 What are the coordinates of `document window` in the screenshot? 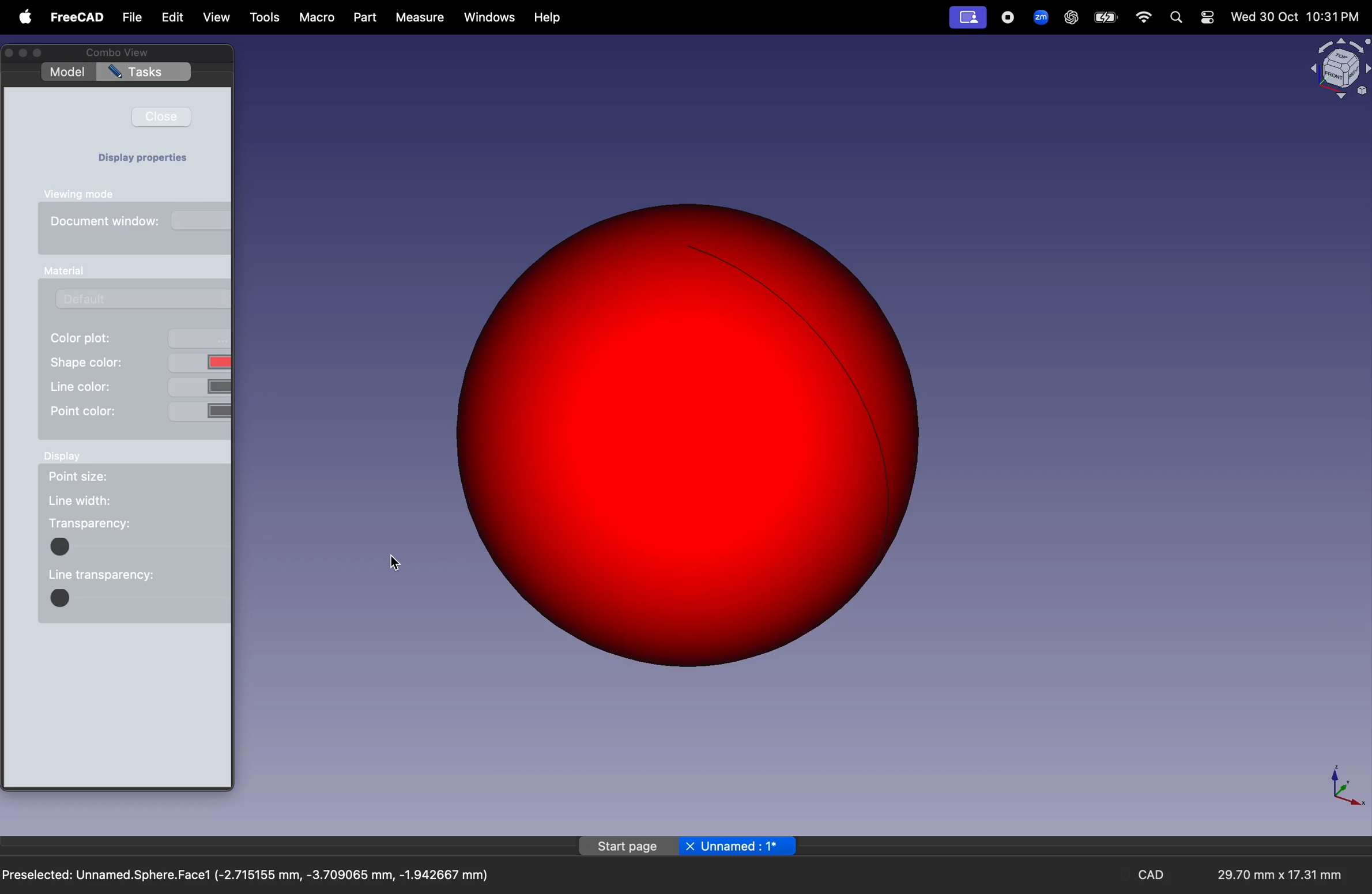 It's located at (107, 222).